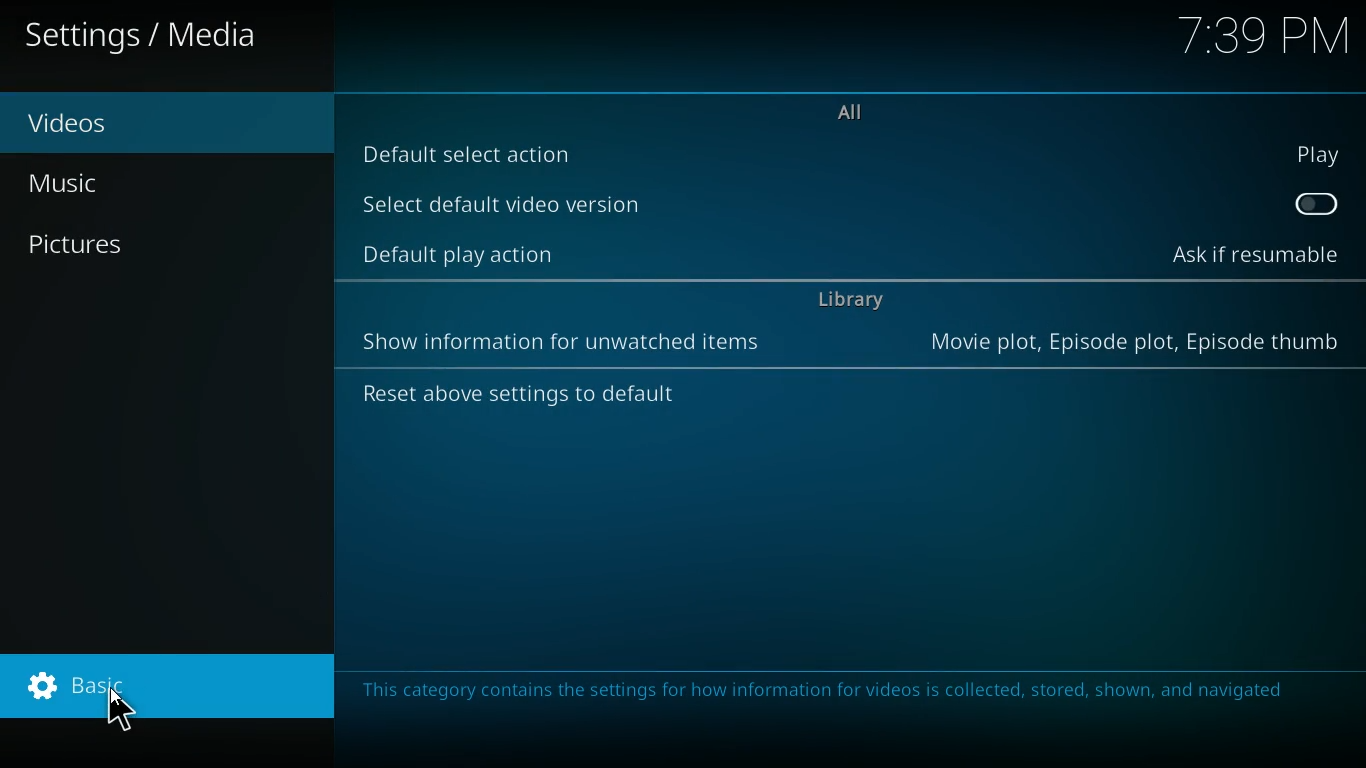 Image resolution: width=1366 pixels, height=768 pixels. I want to click on settings / media, so click(160, 37).